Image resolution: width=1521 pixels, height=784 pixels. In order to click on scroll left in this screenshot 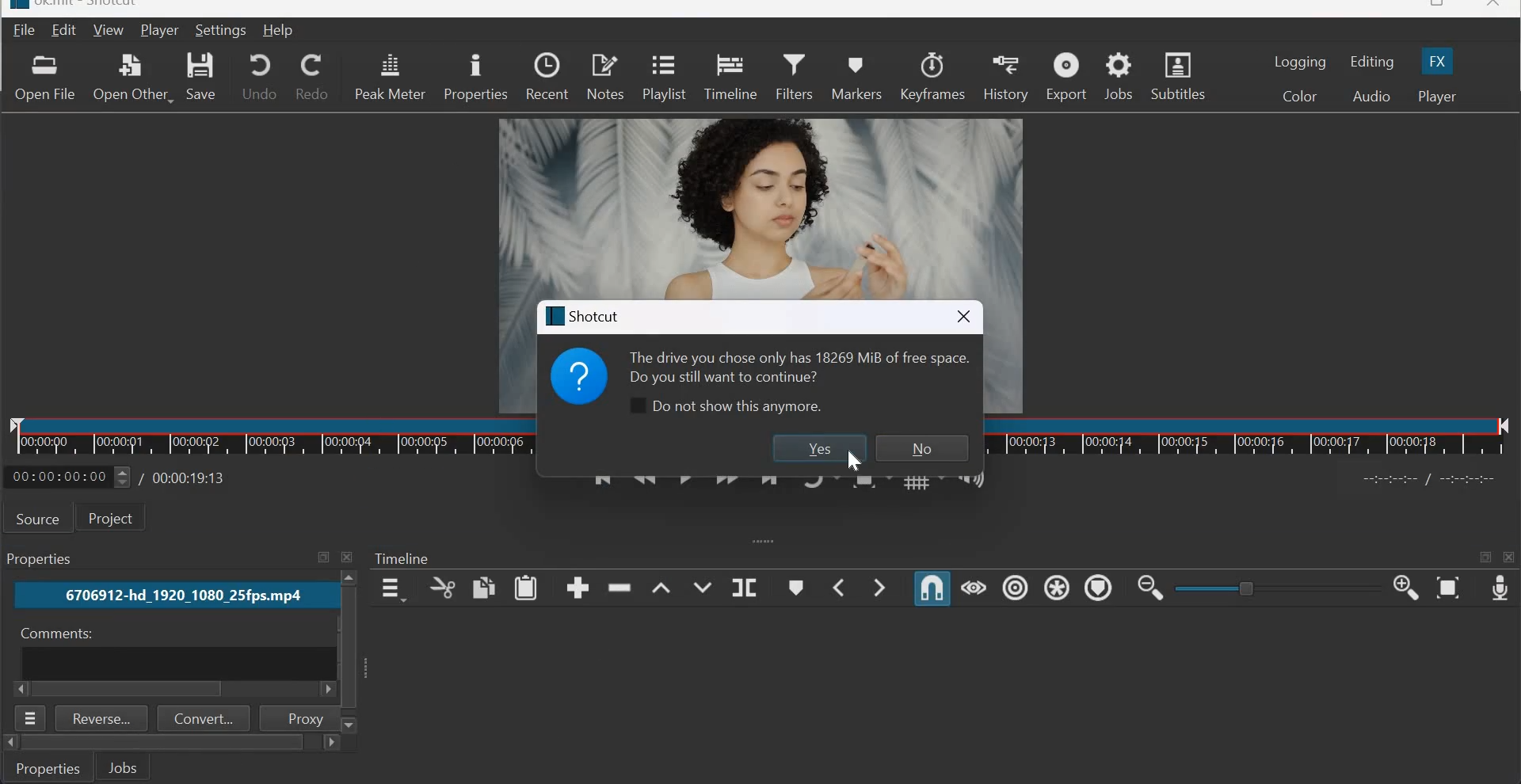, I will do `click(325, 691)`.